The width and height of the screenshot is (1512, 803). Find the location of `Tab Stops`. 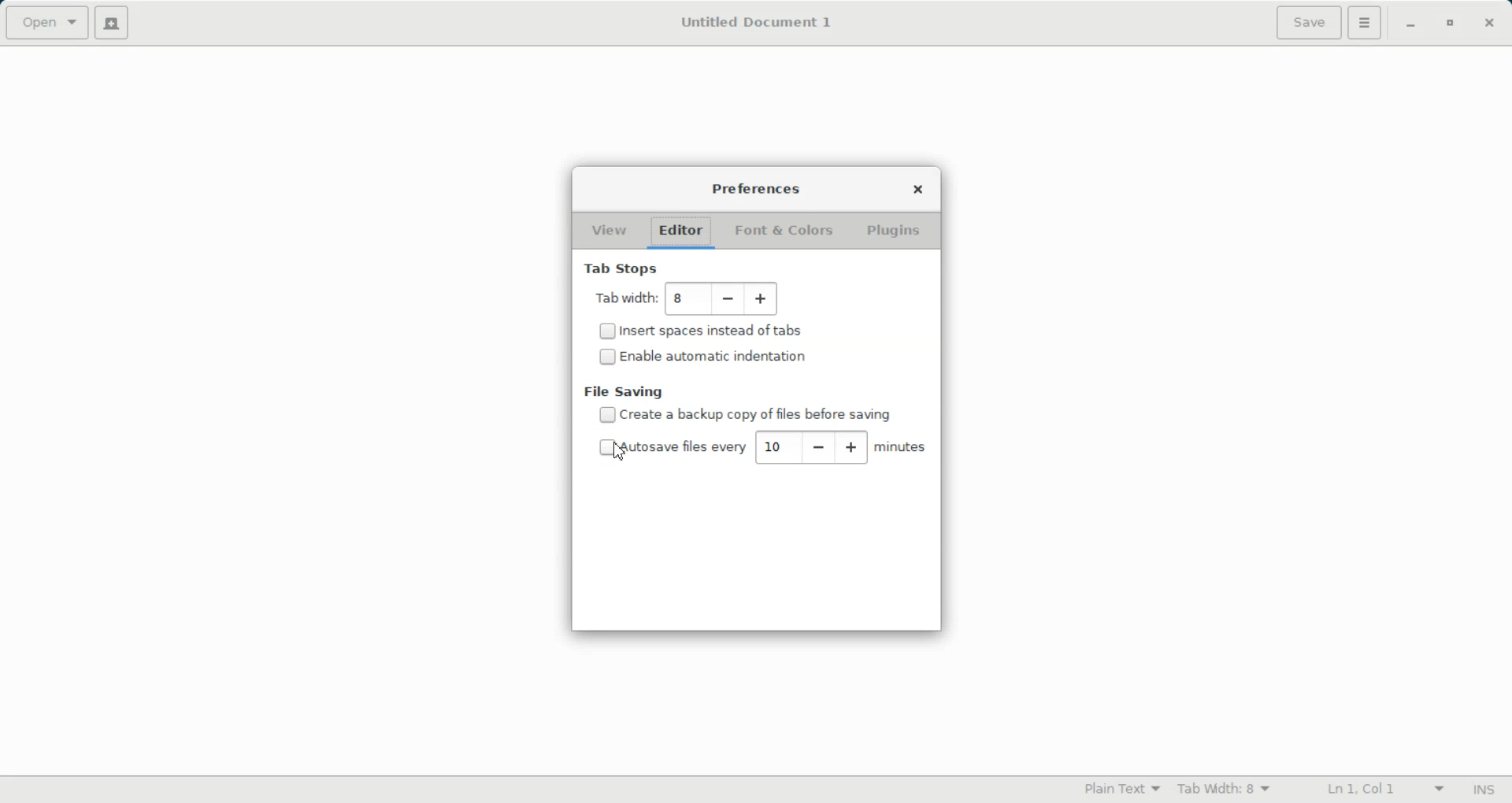

Tab Stops is located at coordinates (618, 267).